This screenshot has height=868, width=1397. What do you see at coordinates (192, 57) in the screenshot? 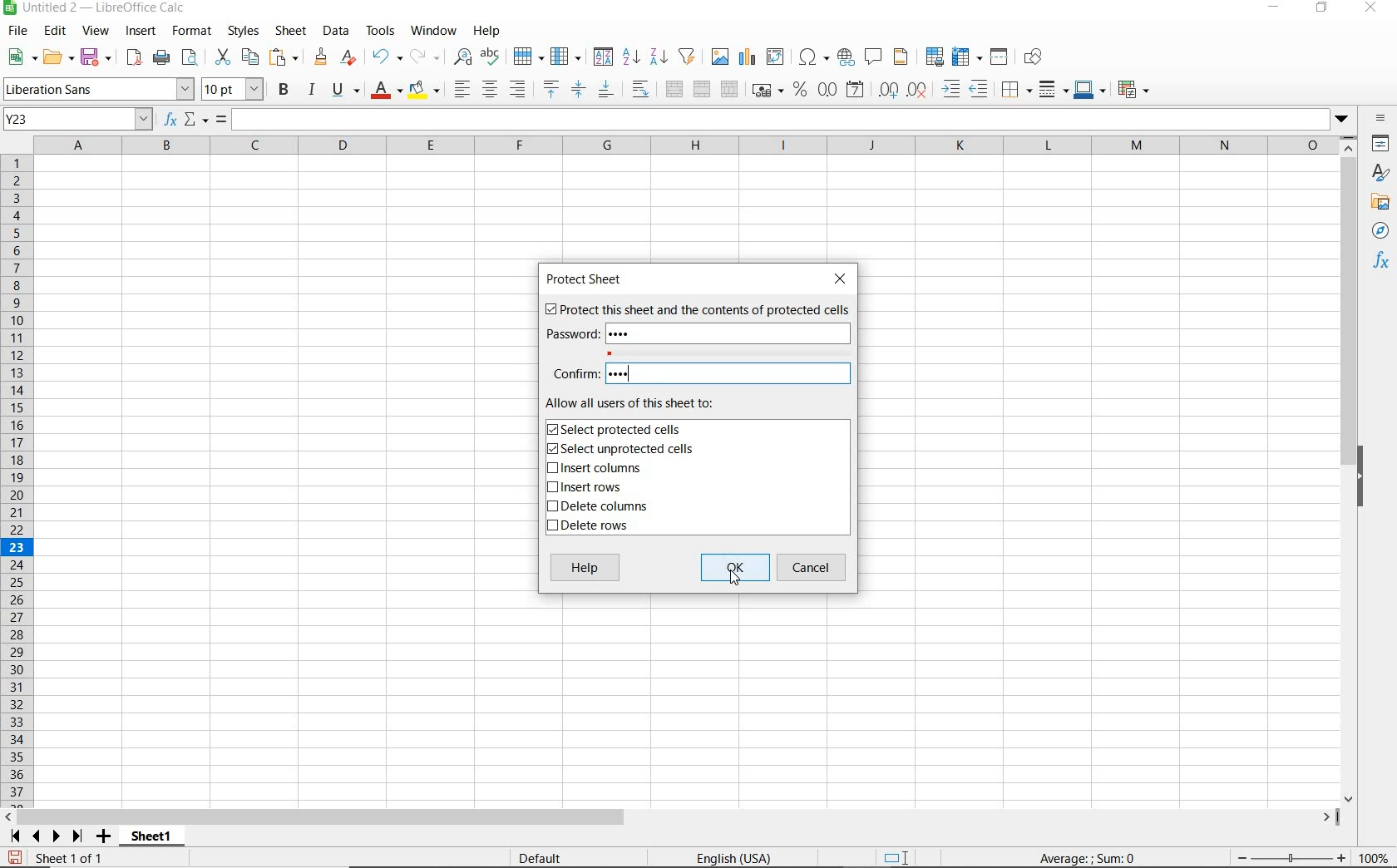
I see `TOGGLE PRINT PREVIEW` at bounding box center [192, 57].